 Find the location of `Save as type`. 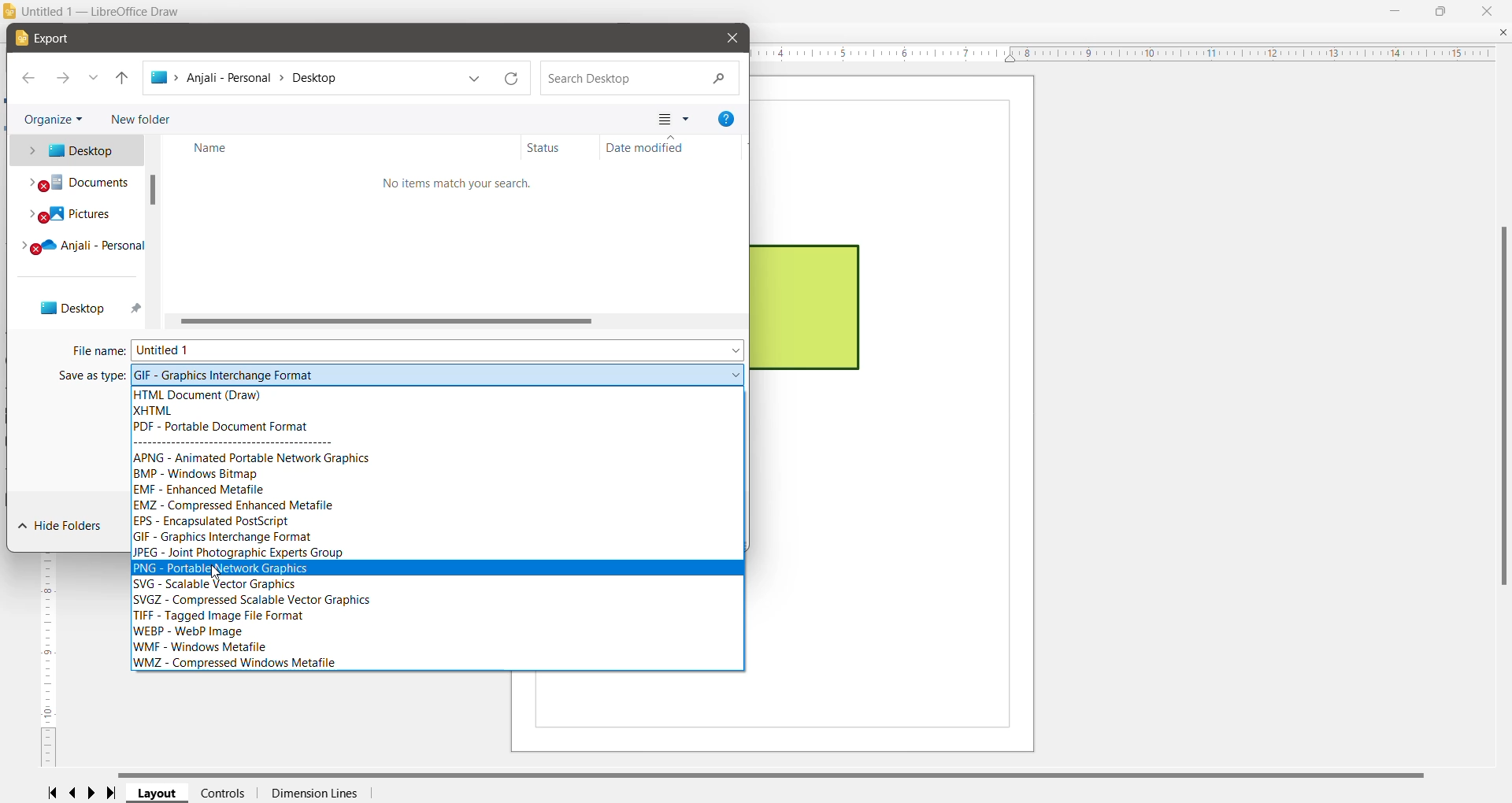

Save as type is located at coordinates (92, 376).